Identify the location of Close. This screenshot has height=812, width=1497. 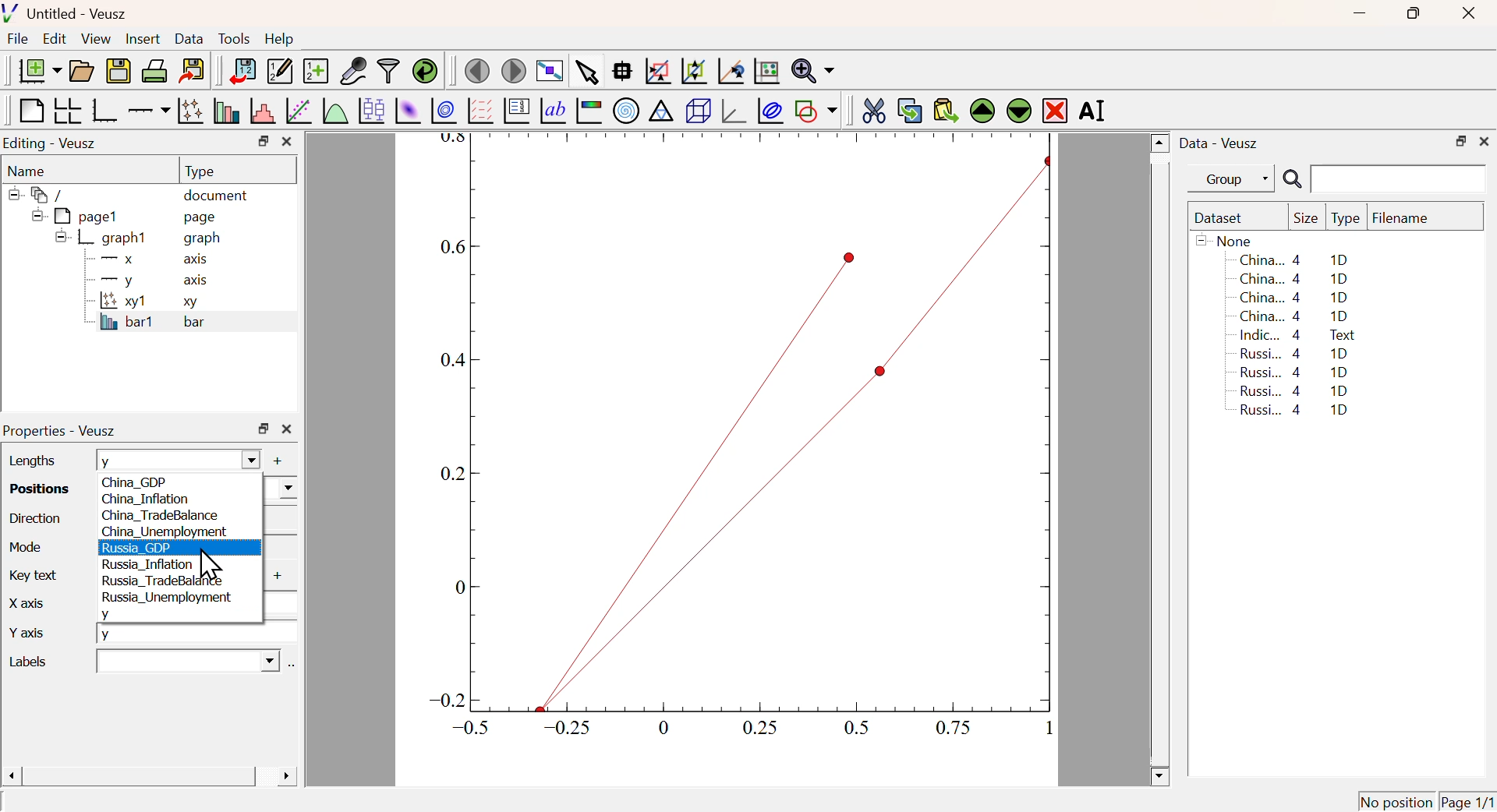
(287, 142).